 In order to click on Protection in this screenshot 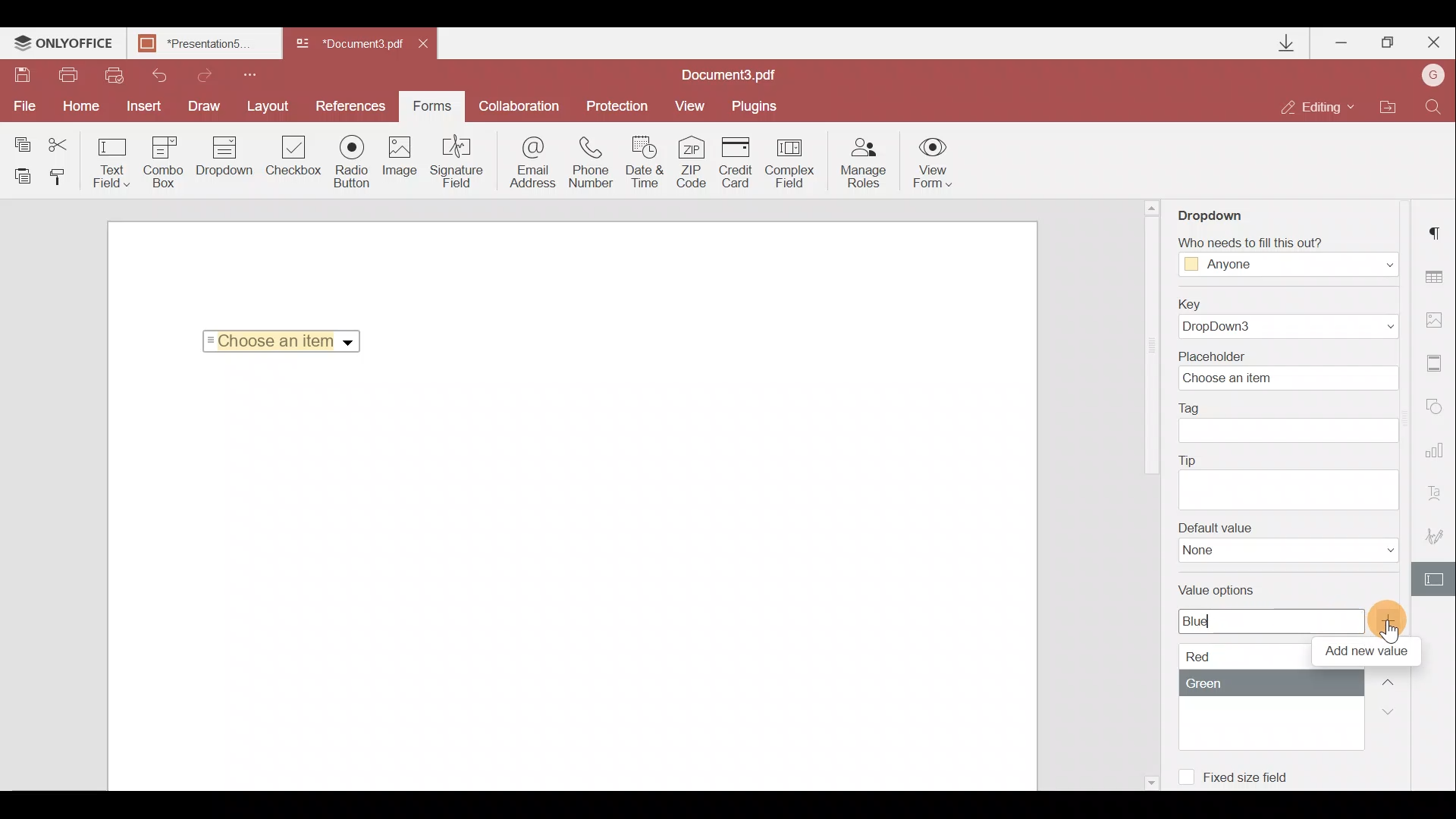, I will do `click(613, 108)`.